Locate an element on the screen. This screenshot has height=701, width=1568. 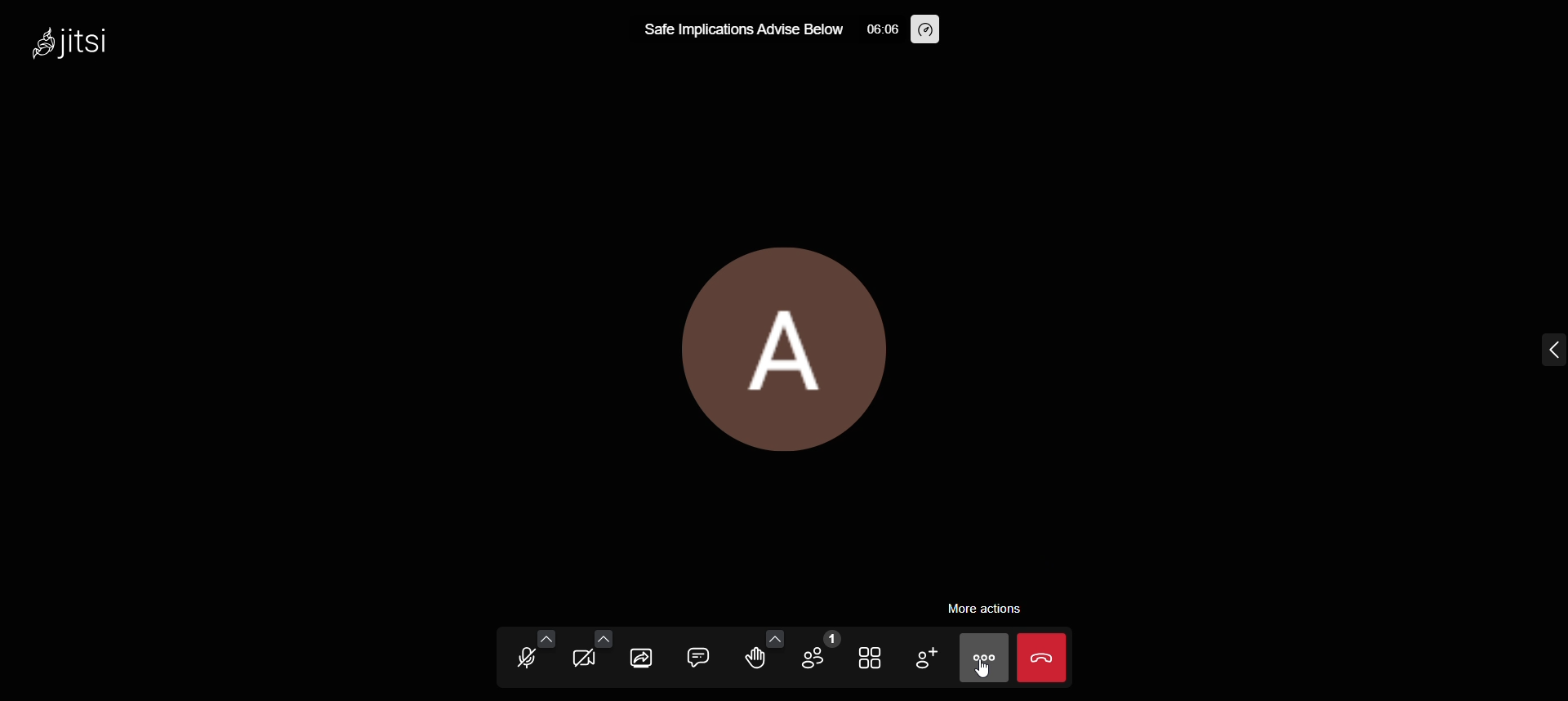
more reaction is located at coordinates (770, 637).